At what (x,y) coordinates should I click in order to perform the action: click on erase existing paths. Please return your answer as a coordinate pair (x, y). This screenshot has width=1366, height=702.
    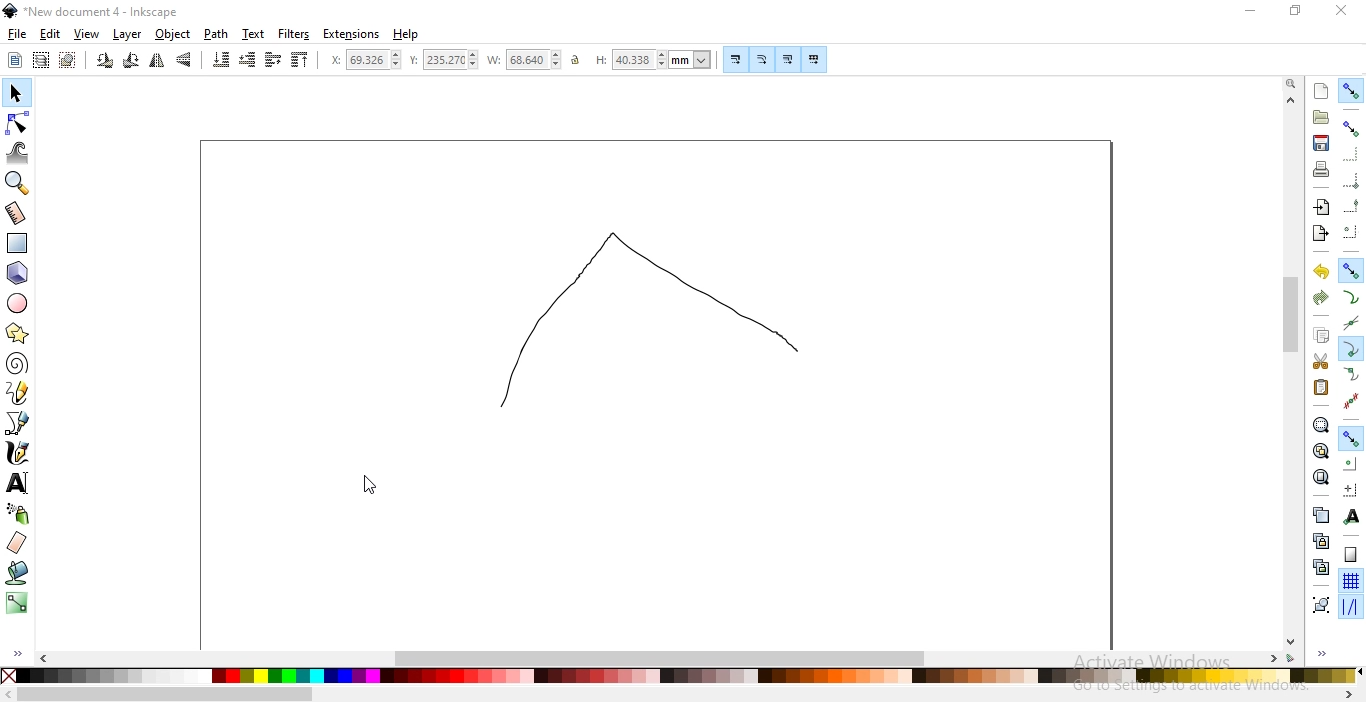
    Looking at the image, I should click on (17, 542).